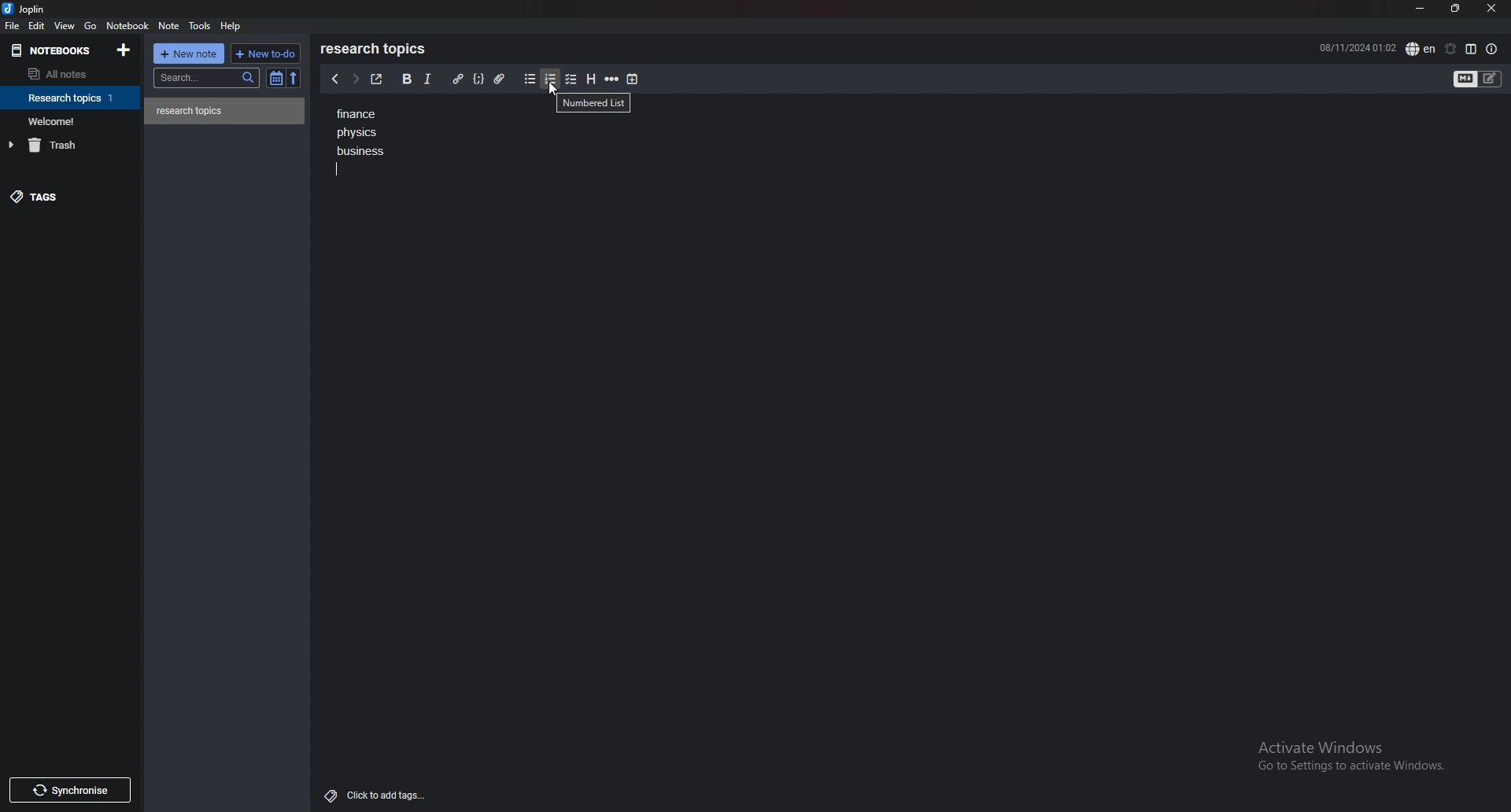  What do you see at coordinates (233, 25) in the screenshot?
I see `help` at bounding box center [233, 25].